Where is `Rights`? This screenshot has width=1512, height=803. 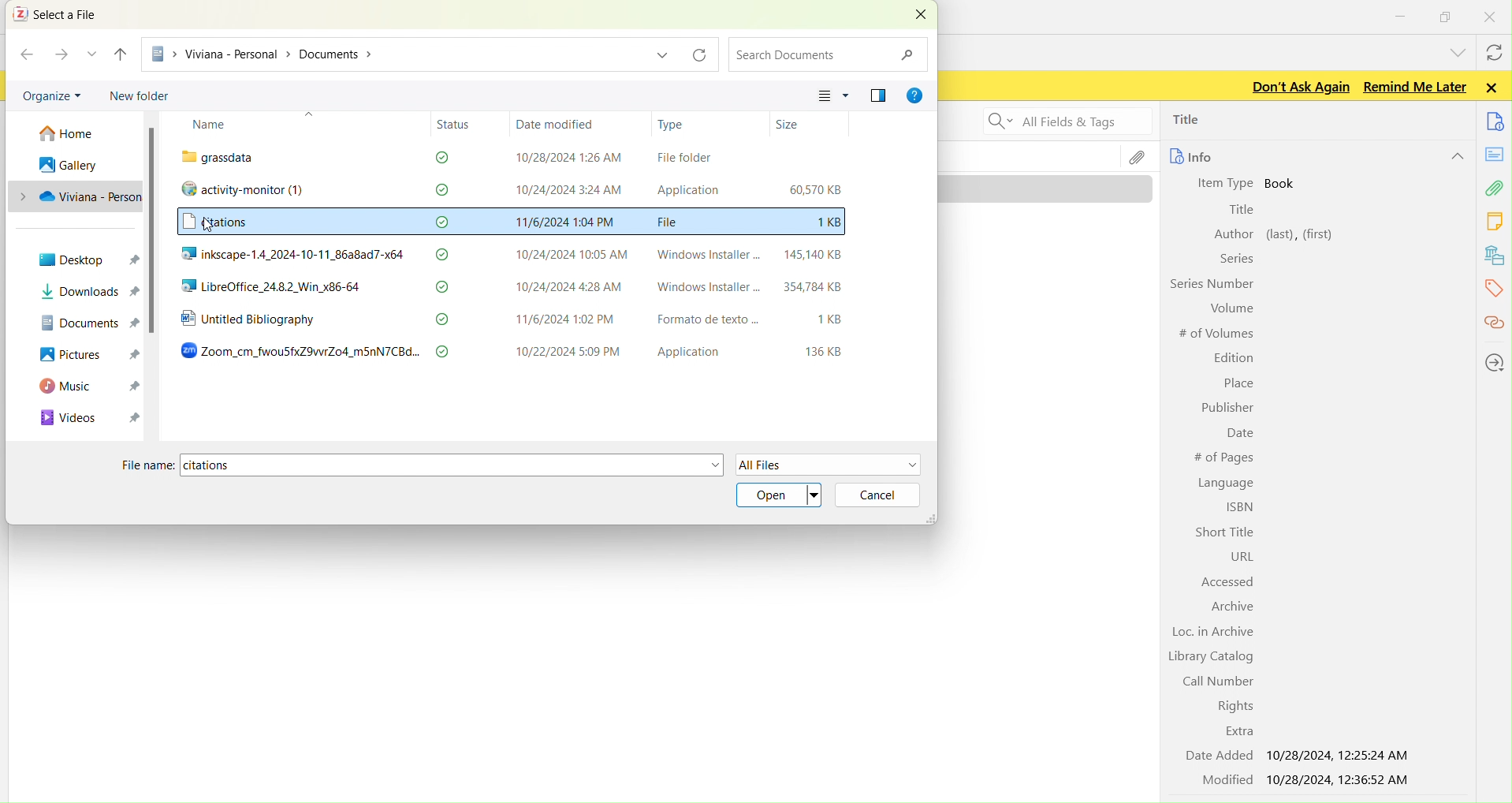 Rights is located at coordinates (1236, 706).